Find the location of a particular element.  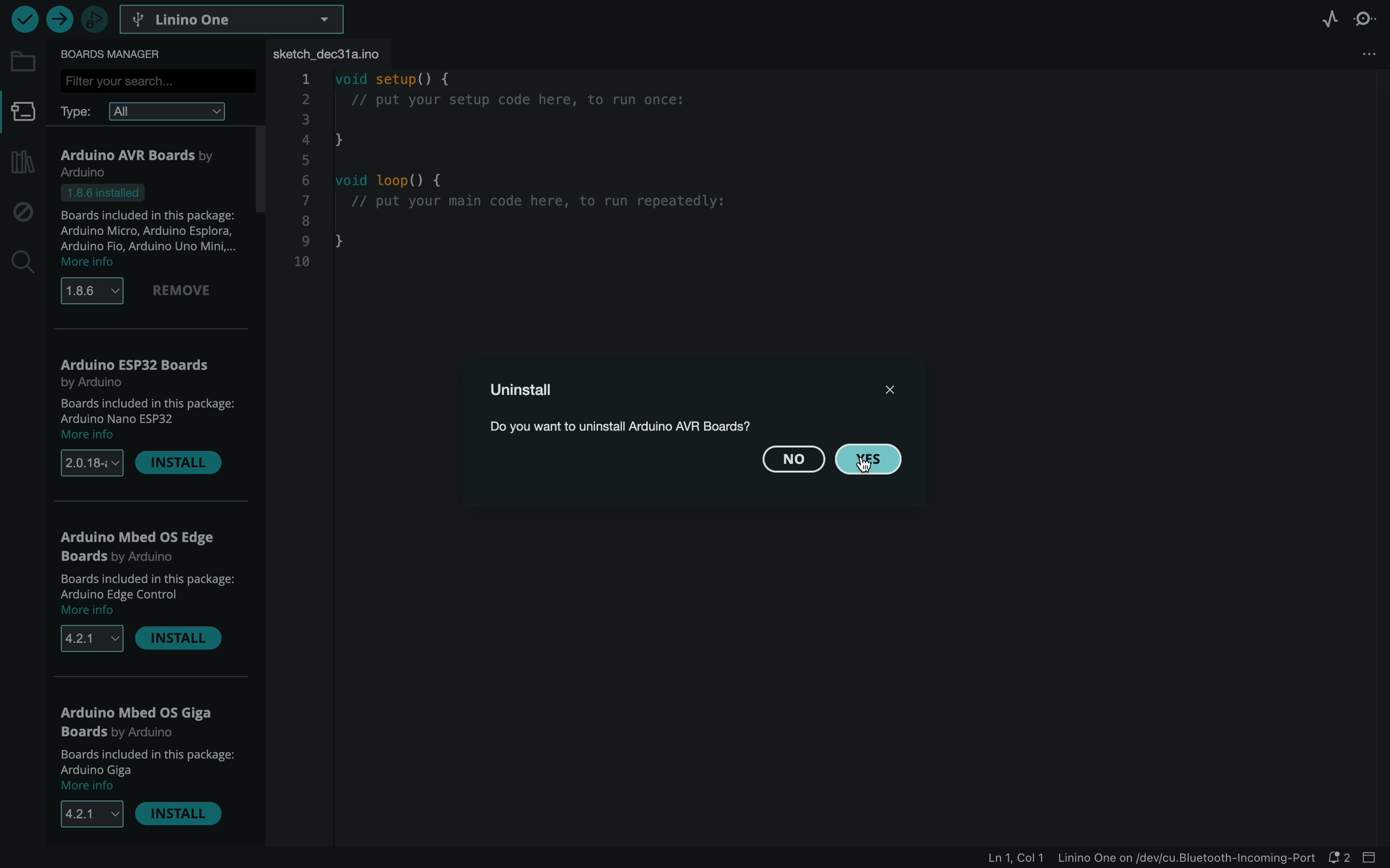

search bar is located at coordinates (159, 80).